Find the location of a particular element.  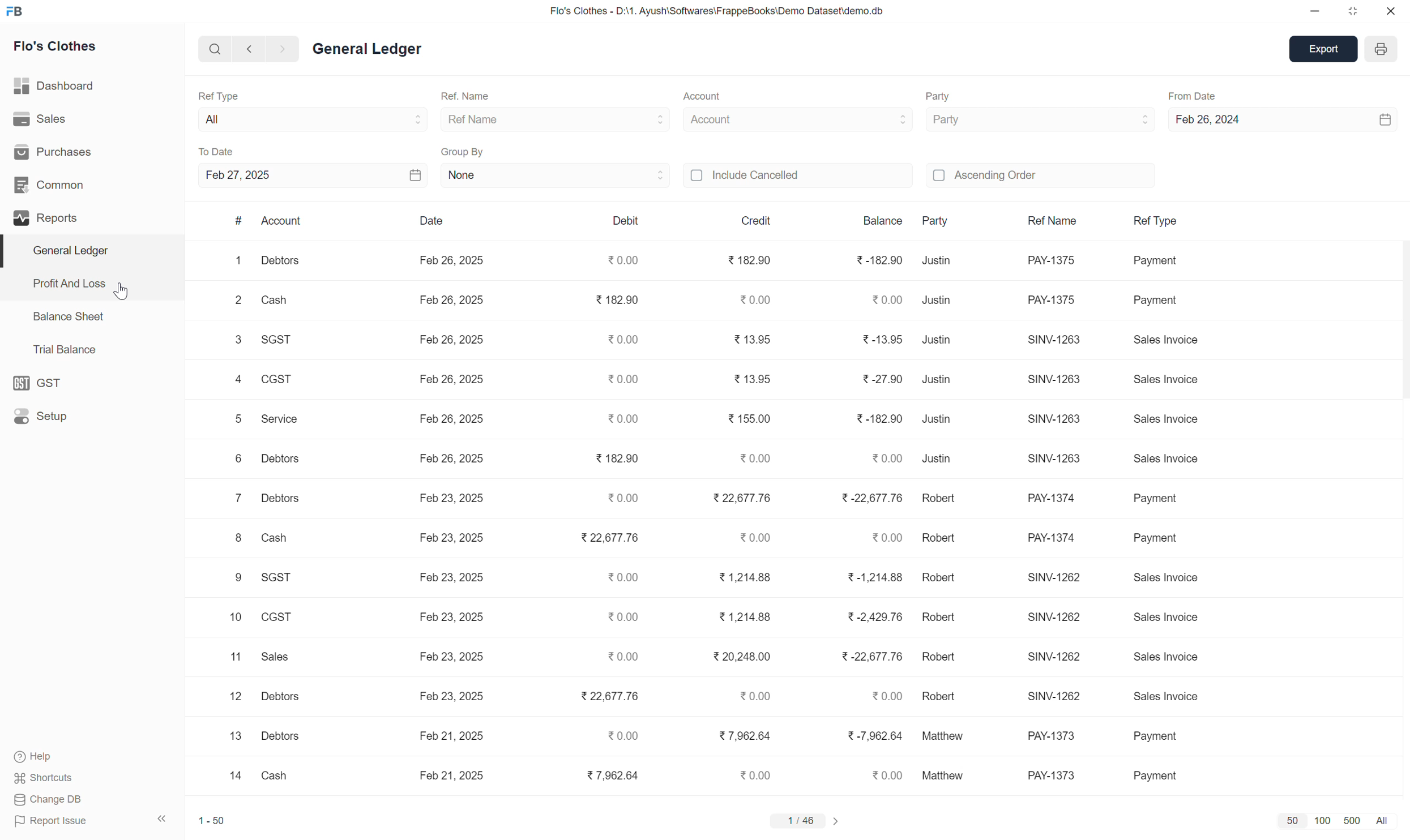

₹-13.95 is located at coordinates (879, 340).